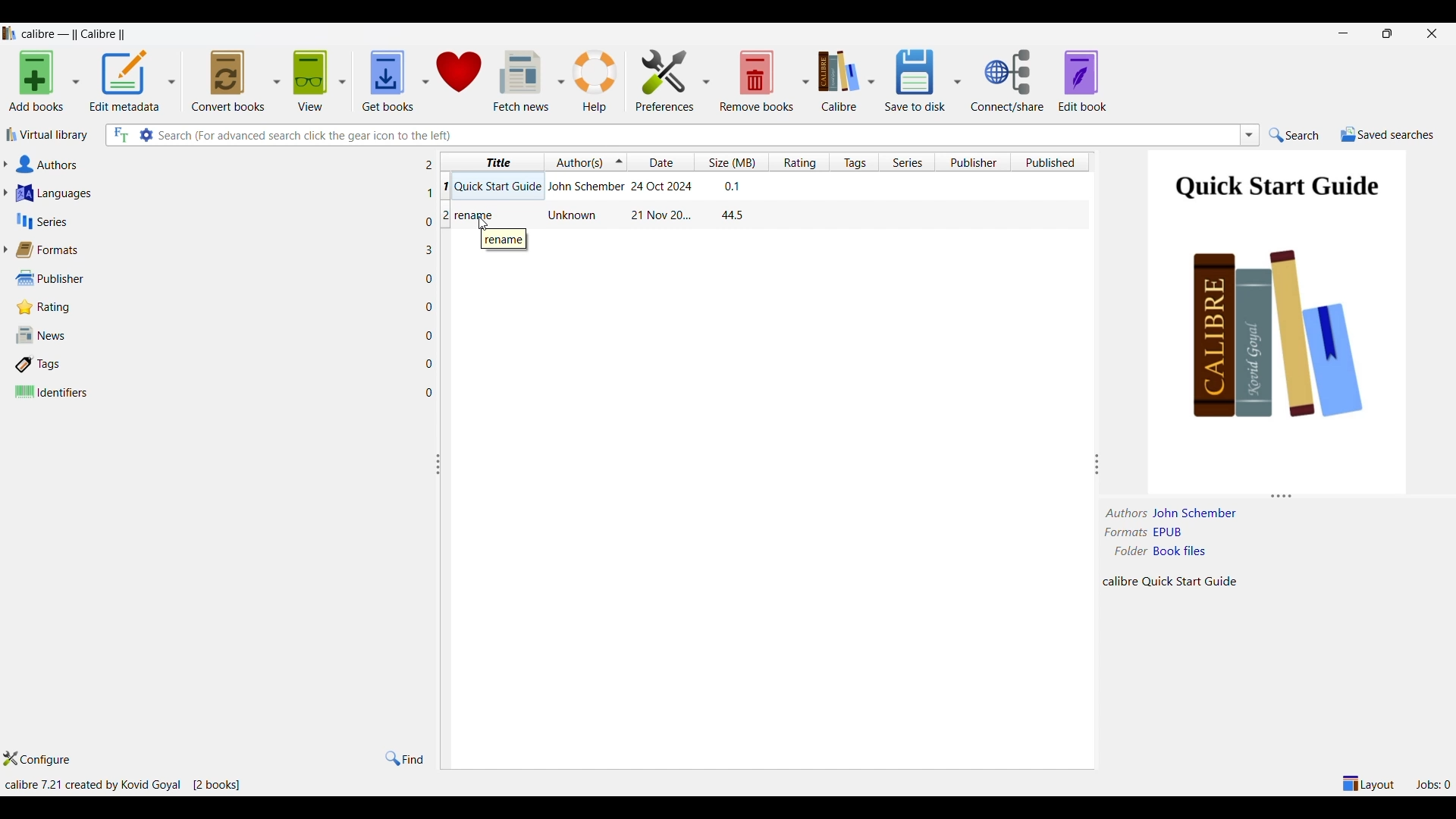 The width and height of the screenshot is (1456, 819). I want to click on Saved searches, so click(1387, 134).